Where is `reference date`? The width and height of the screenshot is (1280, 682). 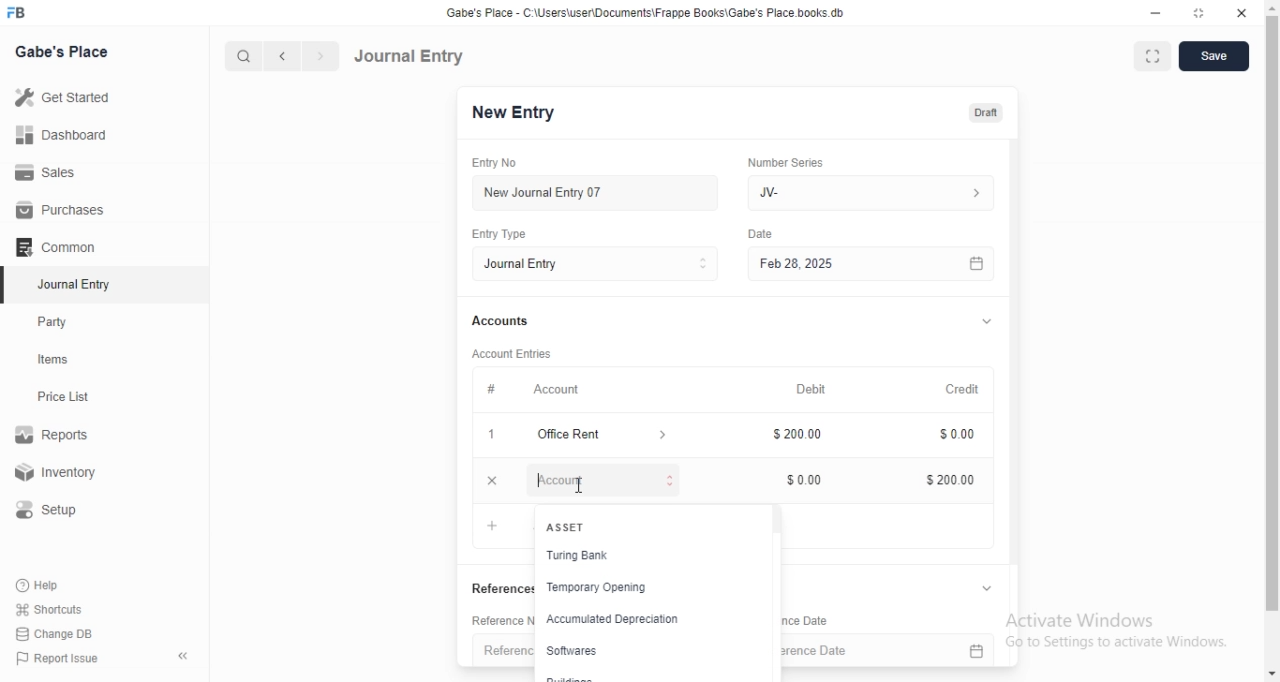
reference date is located at coordinates (819, 651).